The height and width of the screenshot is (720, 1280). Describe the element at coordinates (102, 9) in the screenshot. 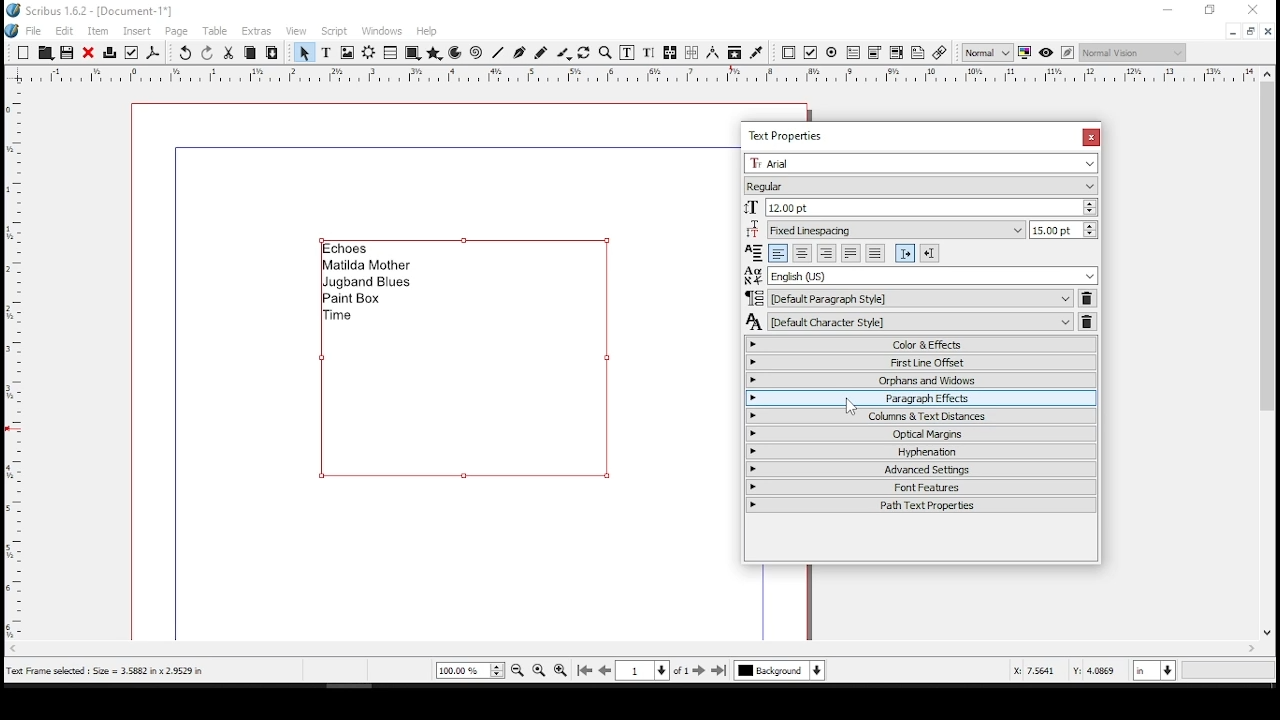

I see `scribus 1.6.2 - [document-1*]` at that location.